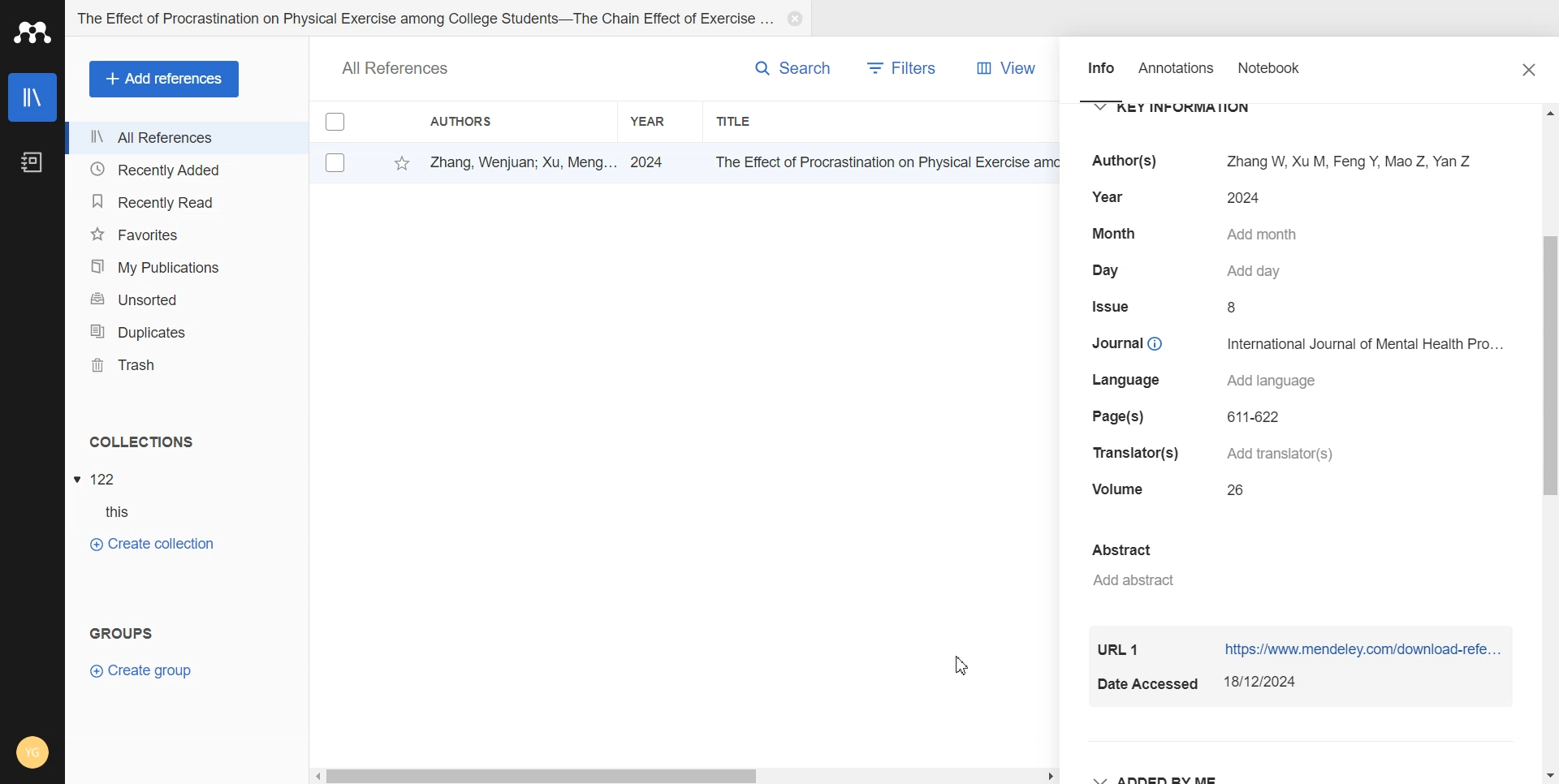 This screenshot has height=784, width=1559. I want to click on Title, so click(785, 121).